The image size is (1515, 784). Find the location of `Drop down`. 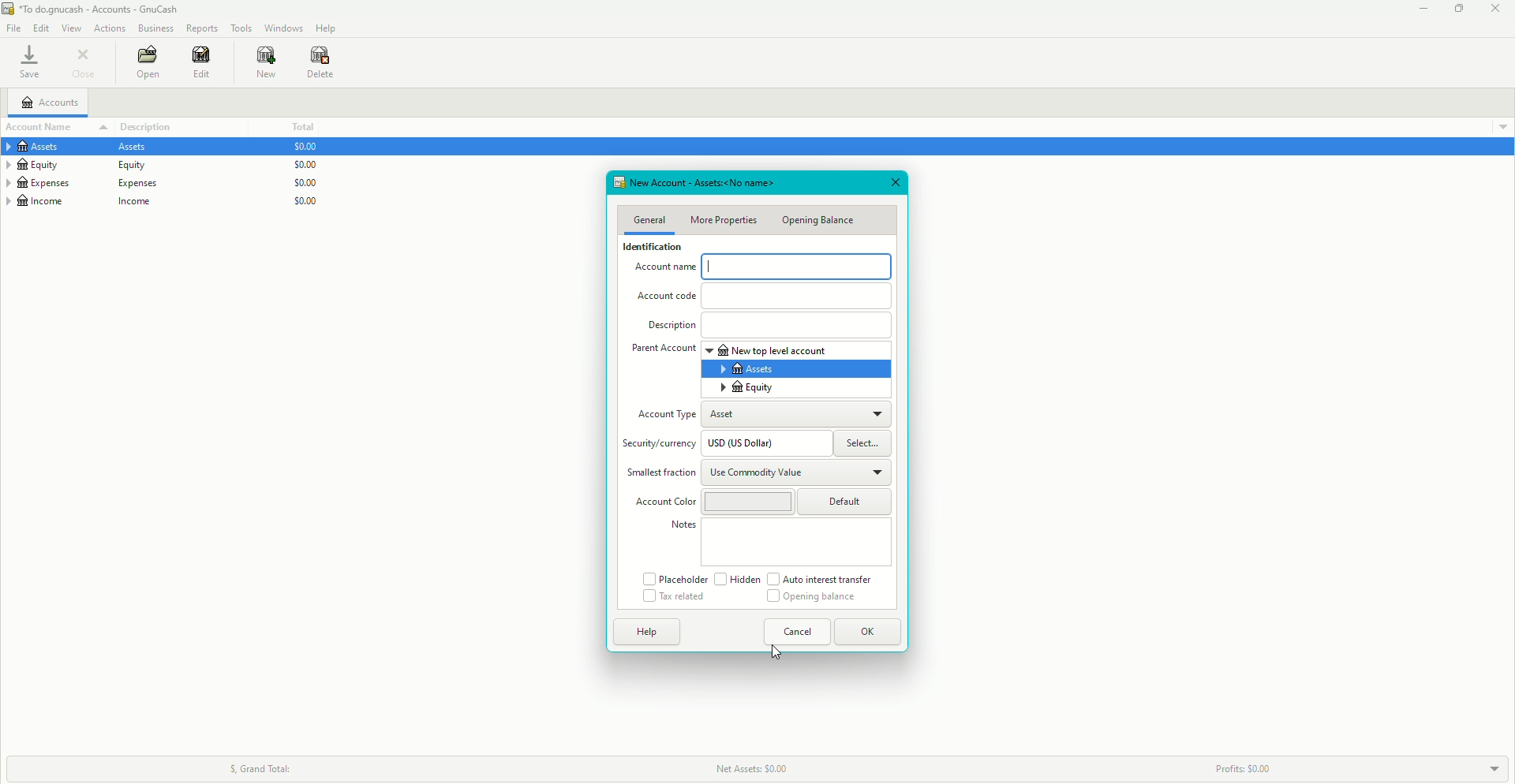

Drop down is located at coordinates (1502, 125).